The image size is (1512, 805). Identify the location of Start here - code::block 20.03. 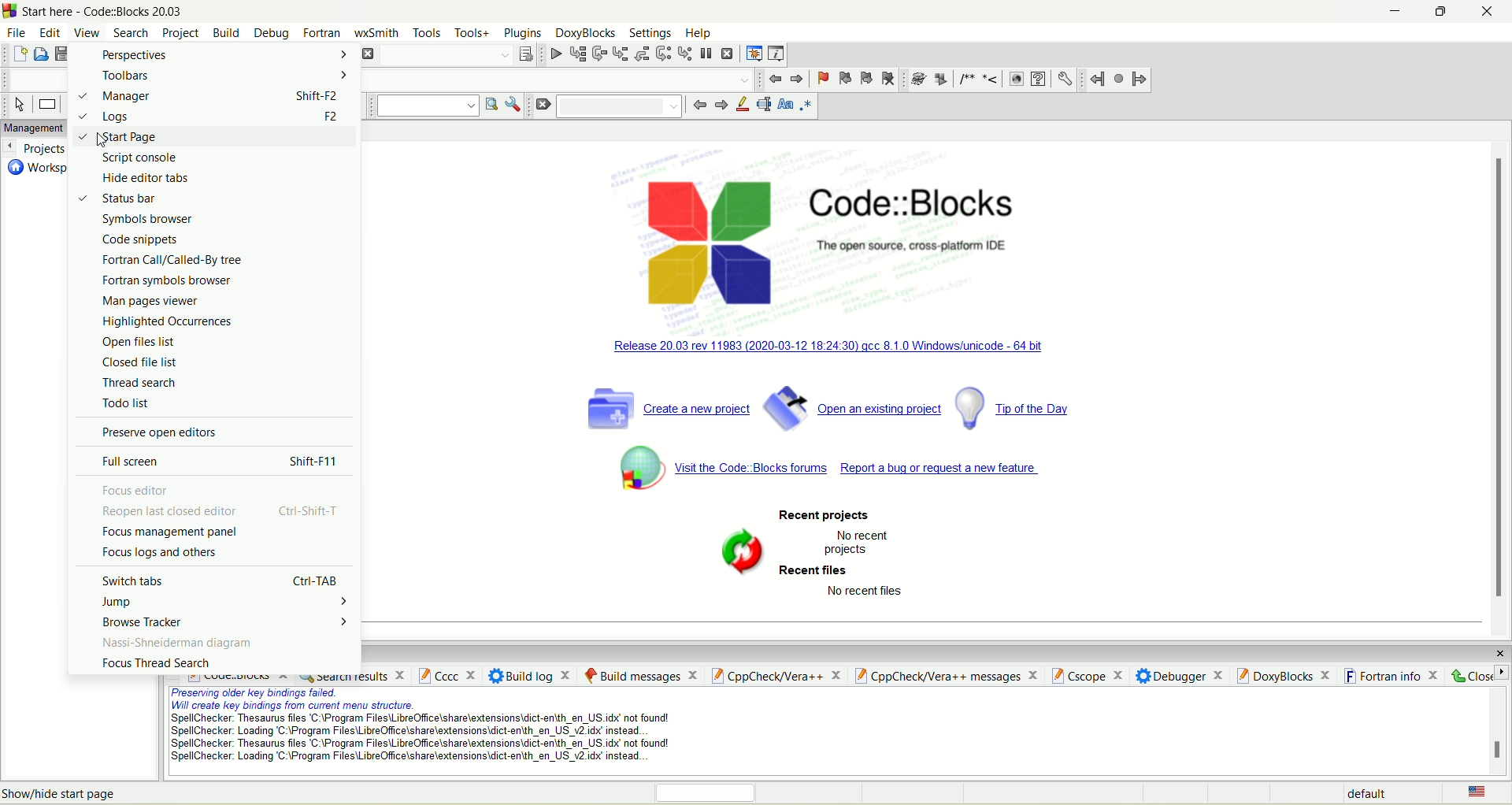
(106, 11).